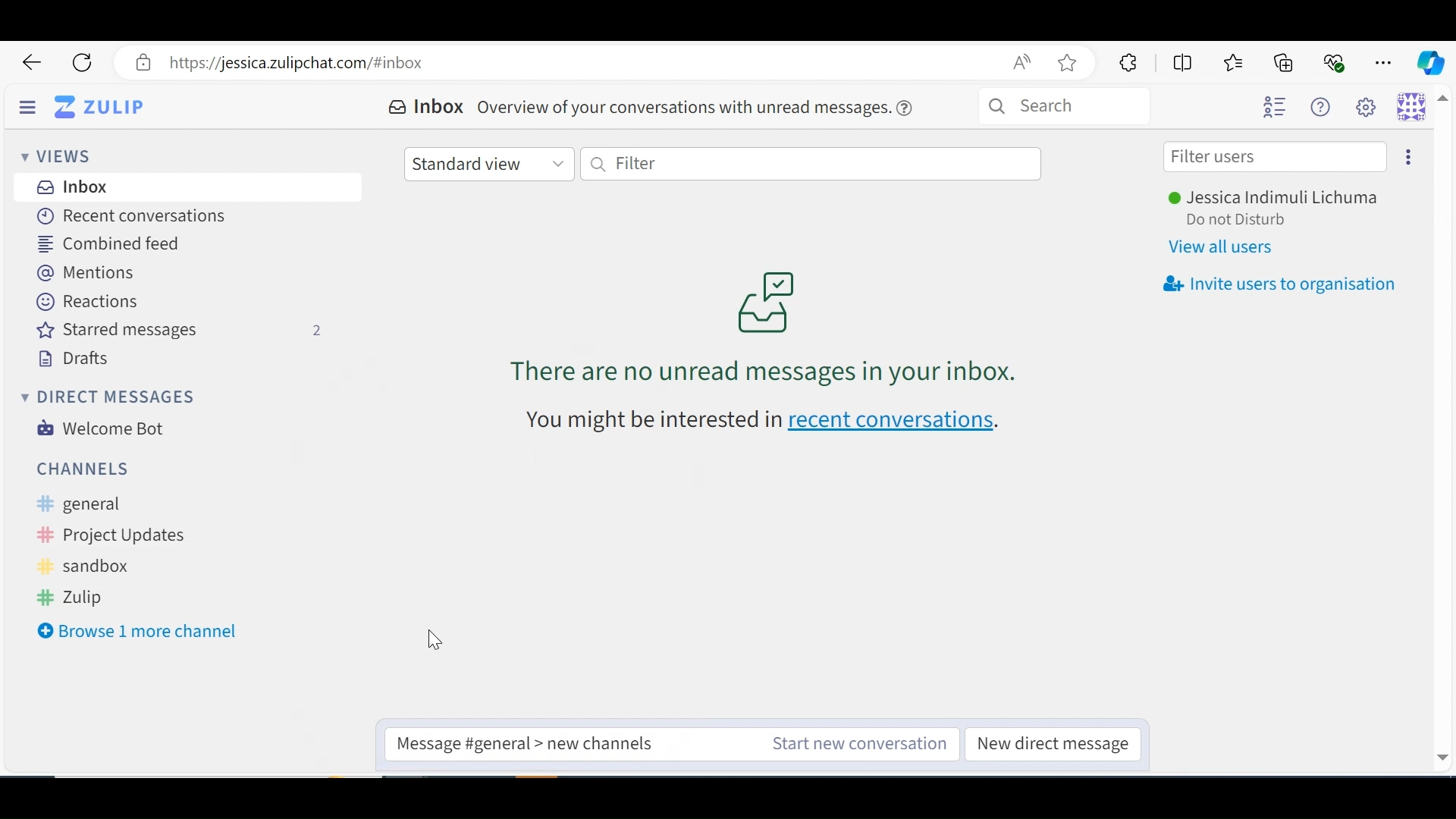  What do you see at coordinates (488, 162) in the screenshot?
I see `Standard view` at bounding box center [488, 162].